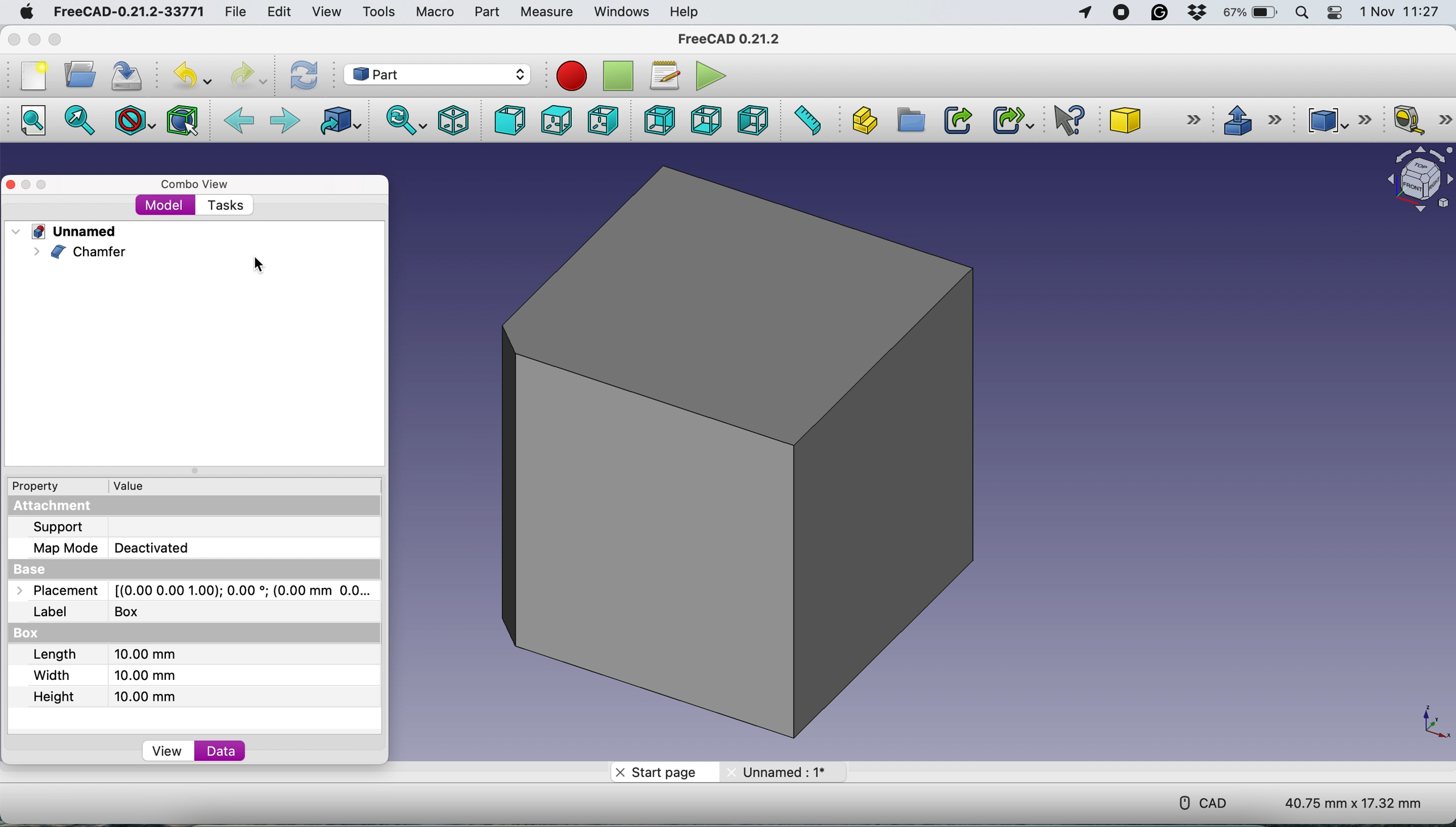 The height and width of the screenshot is (827, 1456). What do you see at coordinates (1251, 14) in the screenshot?
I see `battery` at bounding box center [1251, 14].